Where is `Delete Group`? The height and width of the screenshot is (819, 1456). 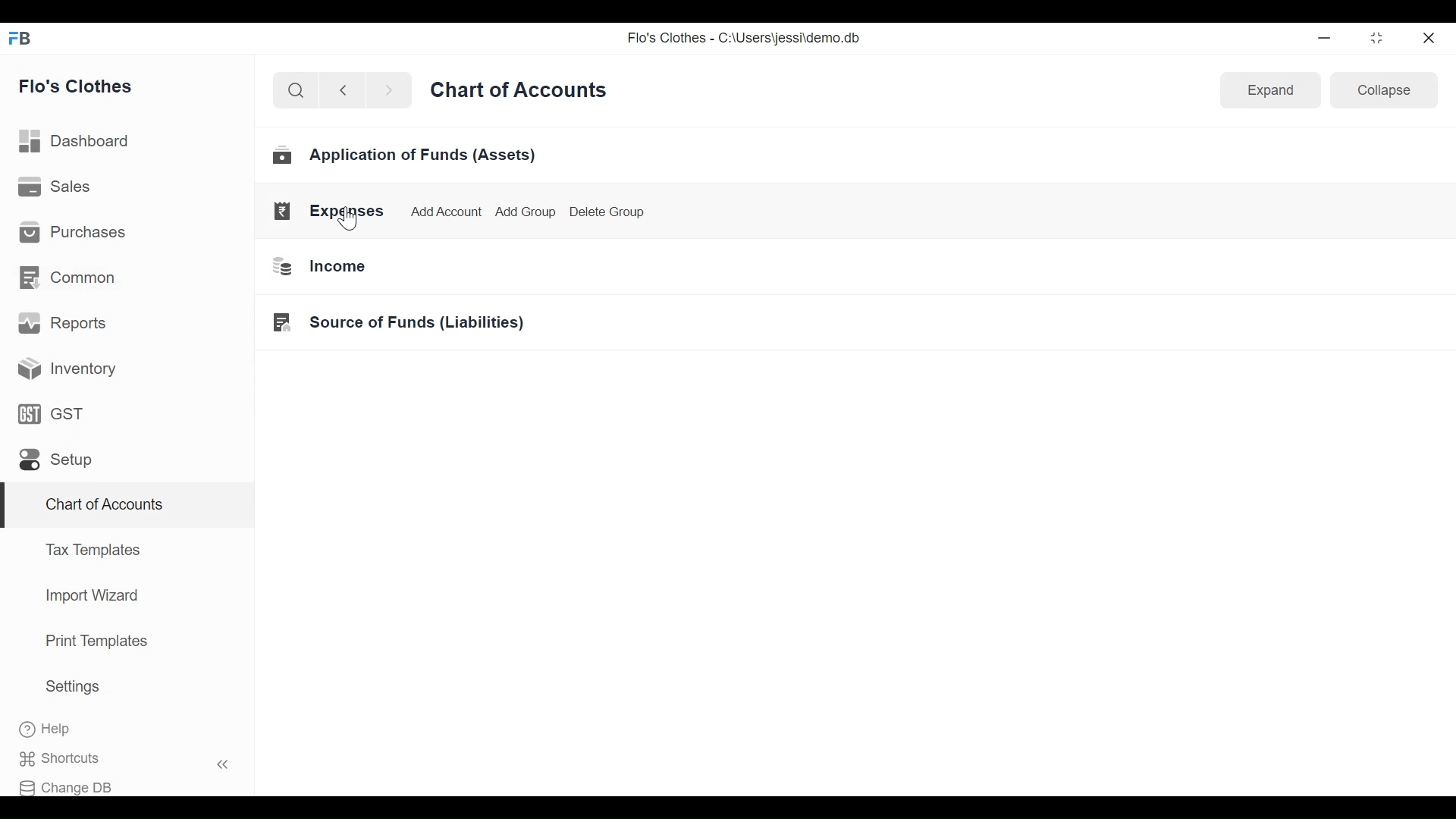
Delete Group is located at coordinates (613, 212).